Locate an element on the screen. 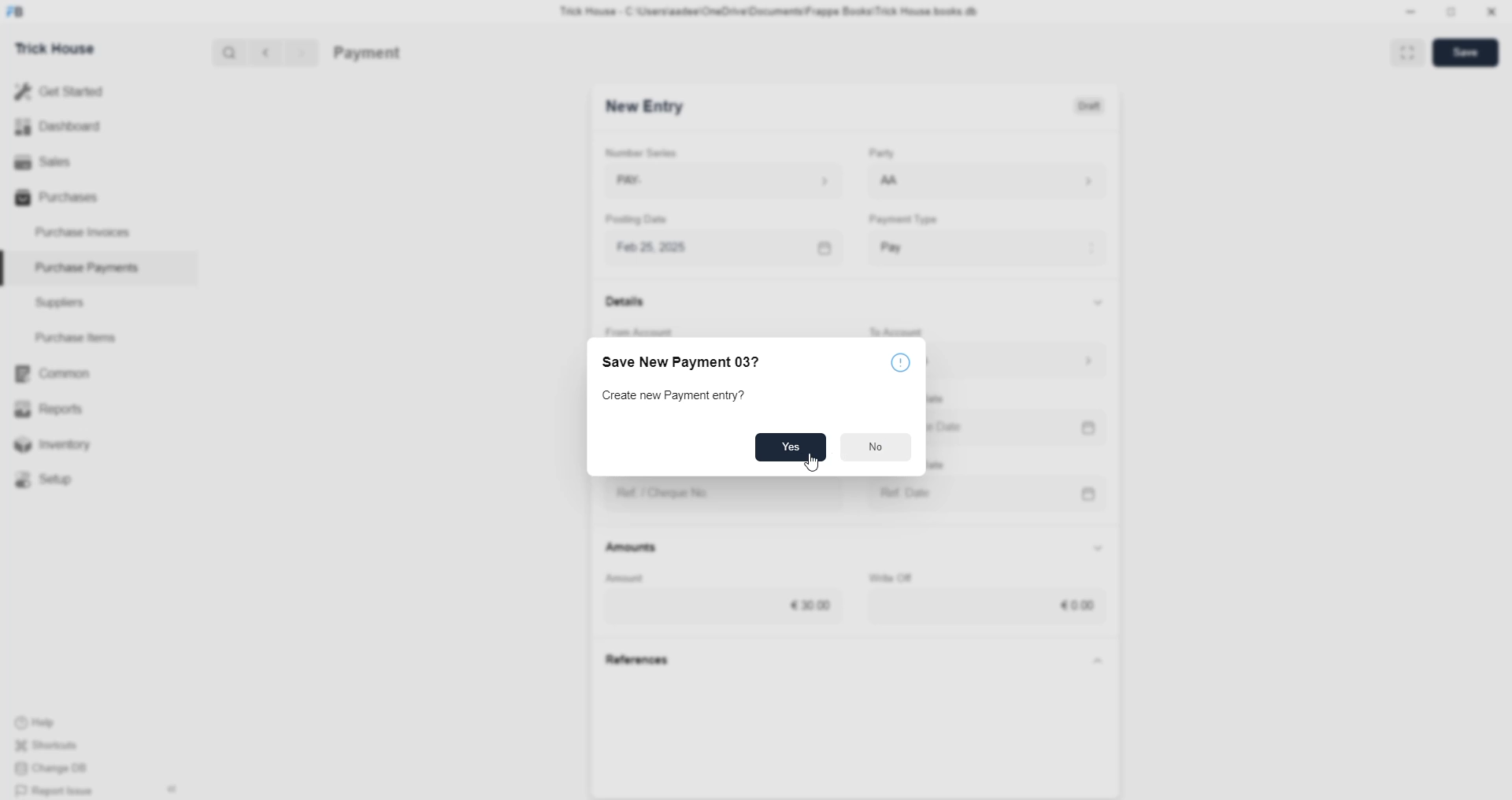 The image size is (1512, 800). common is located at coordinates (55, 374).